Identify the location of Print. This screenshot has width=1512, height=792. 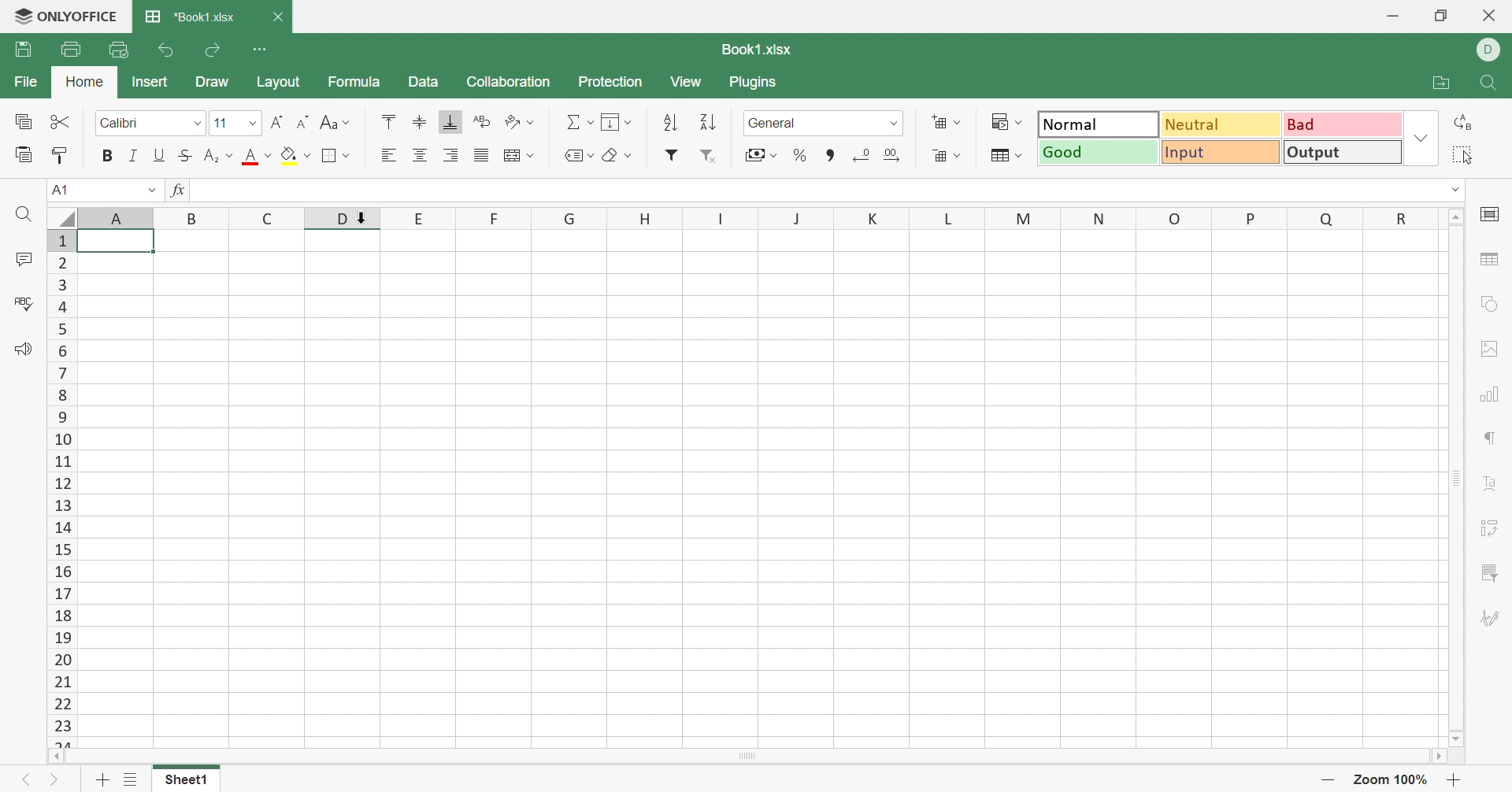
(73, 49).